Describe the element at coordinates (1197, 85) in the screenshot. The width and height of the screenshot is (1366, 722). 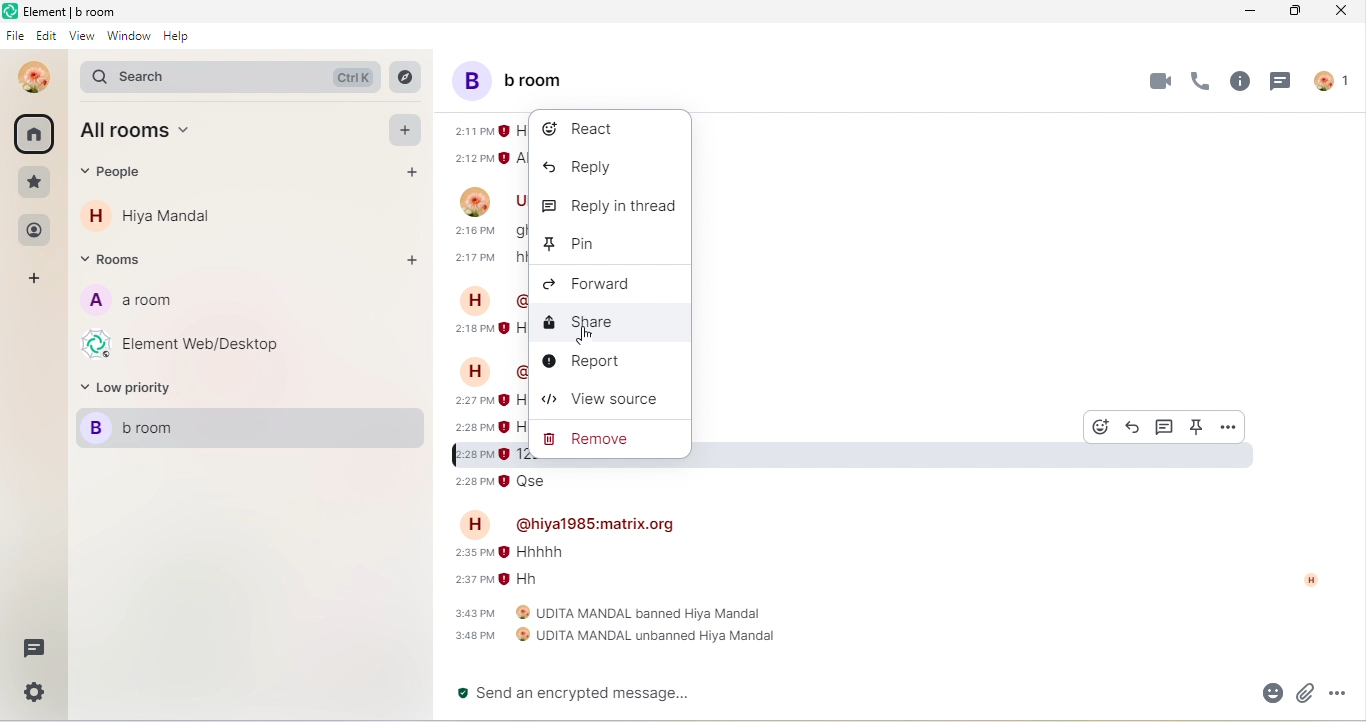
I see `voice call` at that location.